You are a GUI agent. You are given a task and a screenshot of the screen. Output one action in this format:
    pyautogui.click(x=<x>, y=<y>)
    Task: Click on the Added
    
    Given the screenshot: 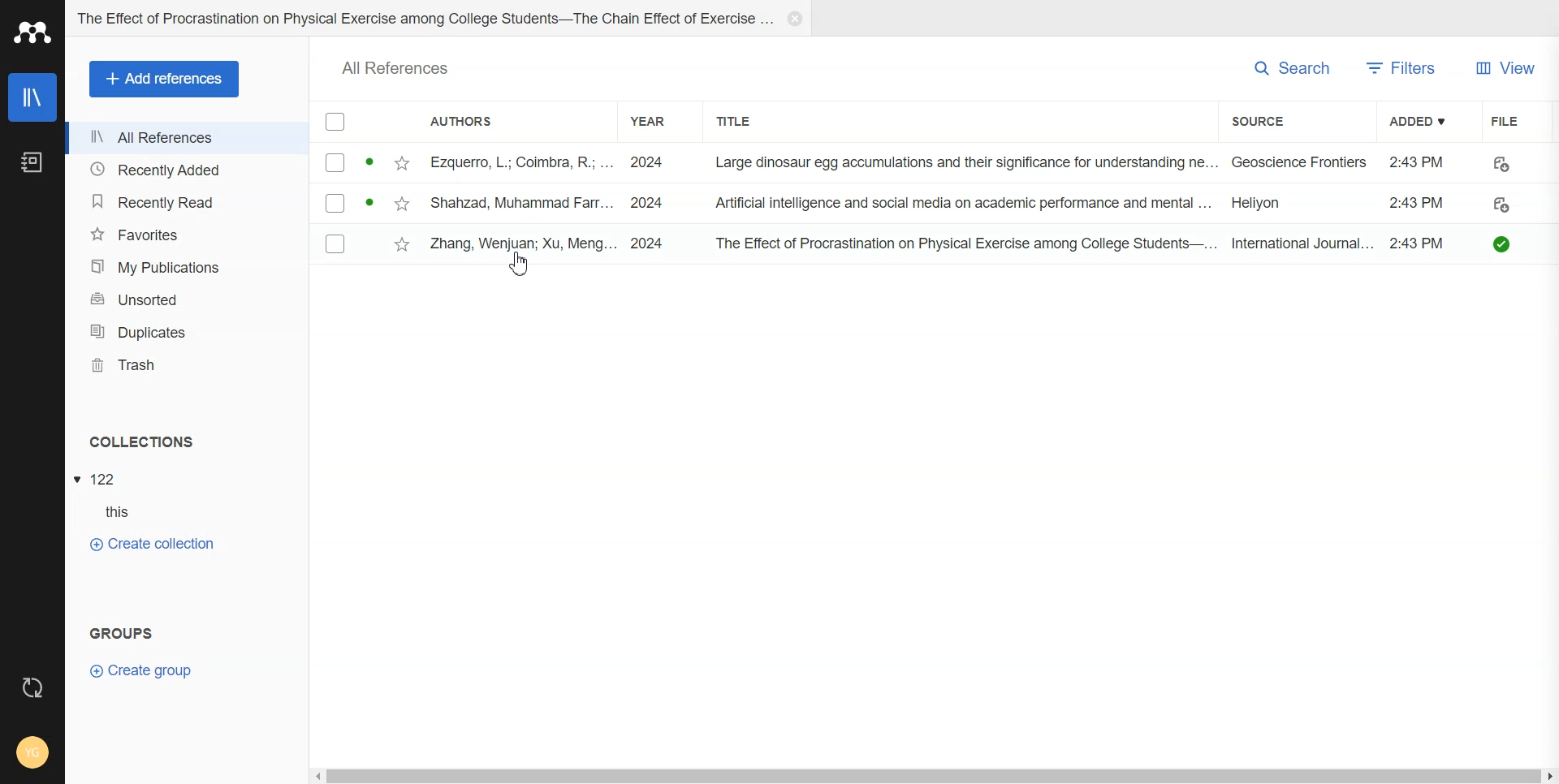 What is the action you would take?
    pyautogui.click(x=1432, y=120)
    